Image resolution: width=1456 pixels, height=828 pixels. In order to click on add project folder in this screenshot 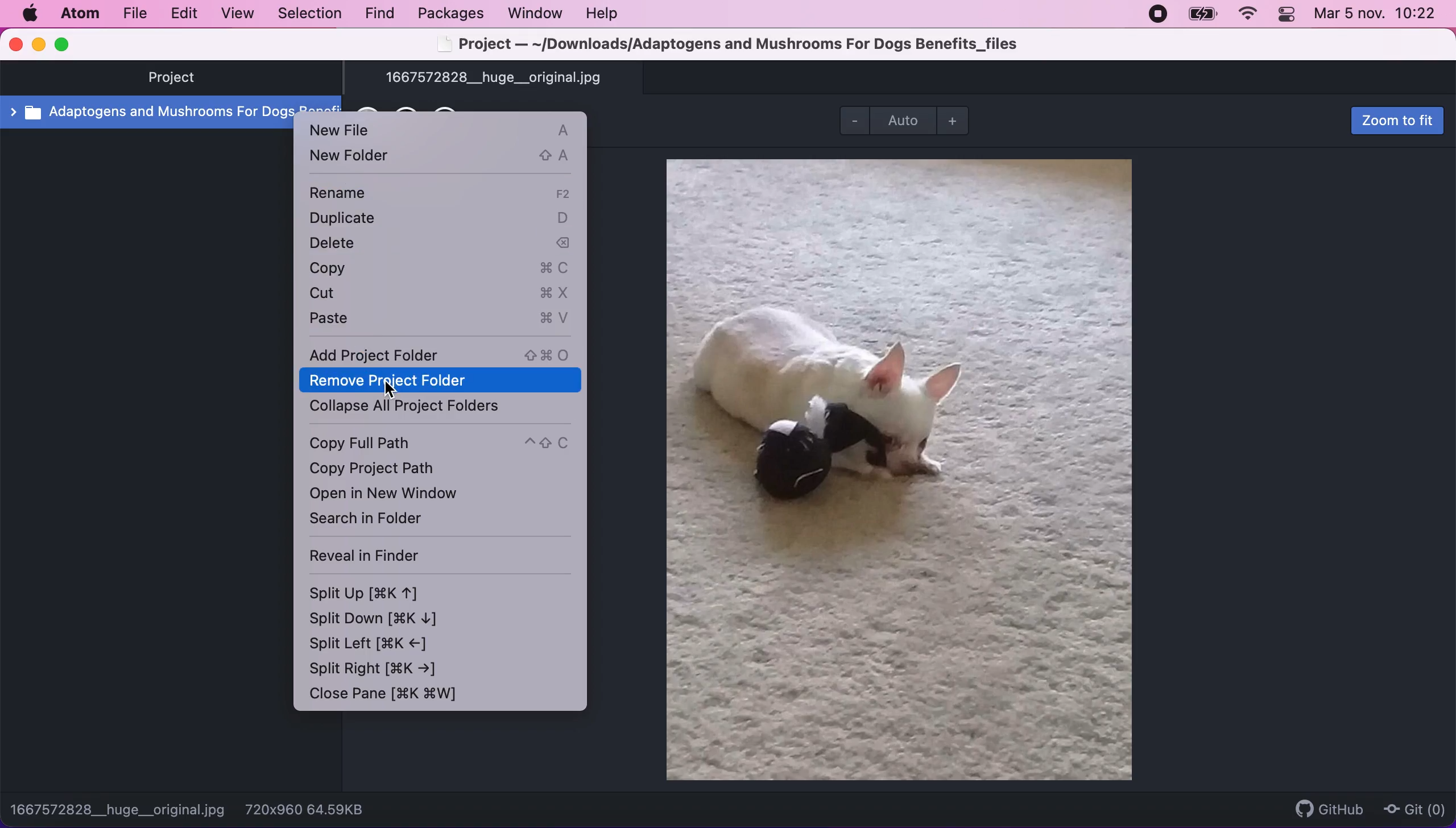, I will do `click(445, 353)`.